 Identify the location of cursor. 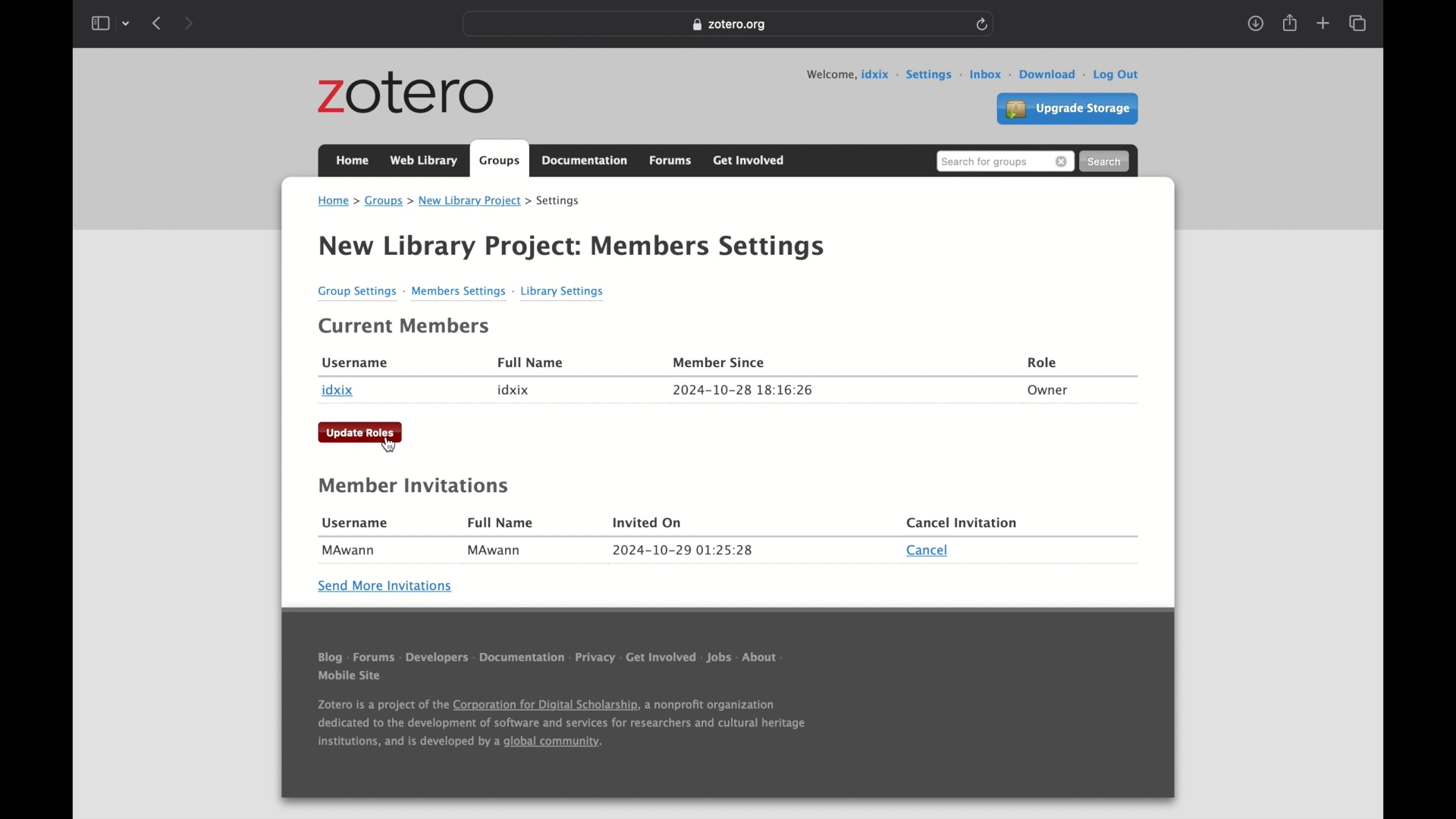
(389, 445).